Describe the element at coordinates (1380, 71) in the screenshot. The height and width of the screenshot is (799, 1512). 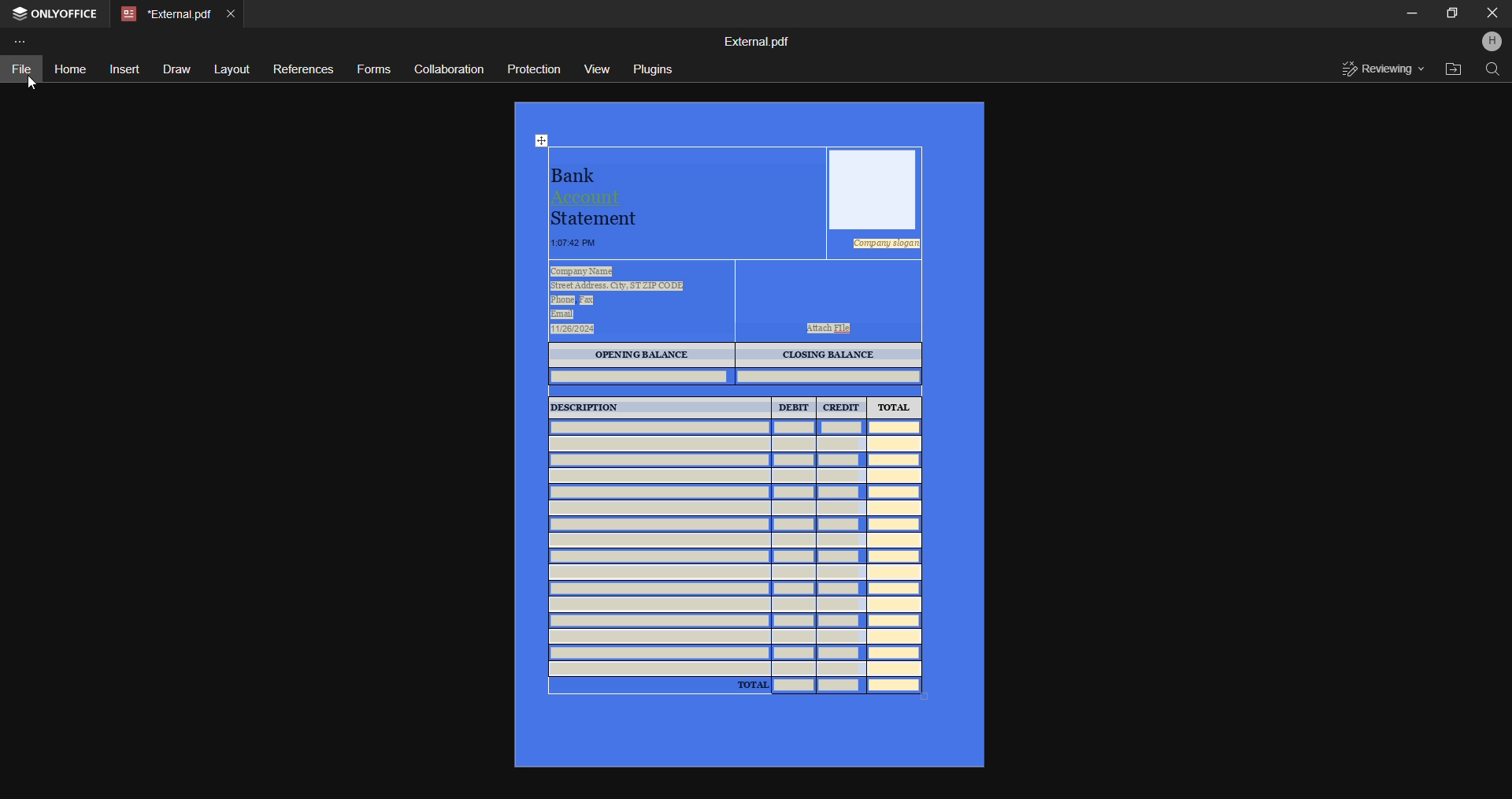
I see `Reviewing` at that location.